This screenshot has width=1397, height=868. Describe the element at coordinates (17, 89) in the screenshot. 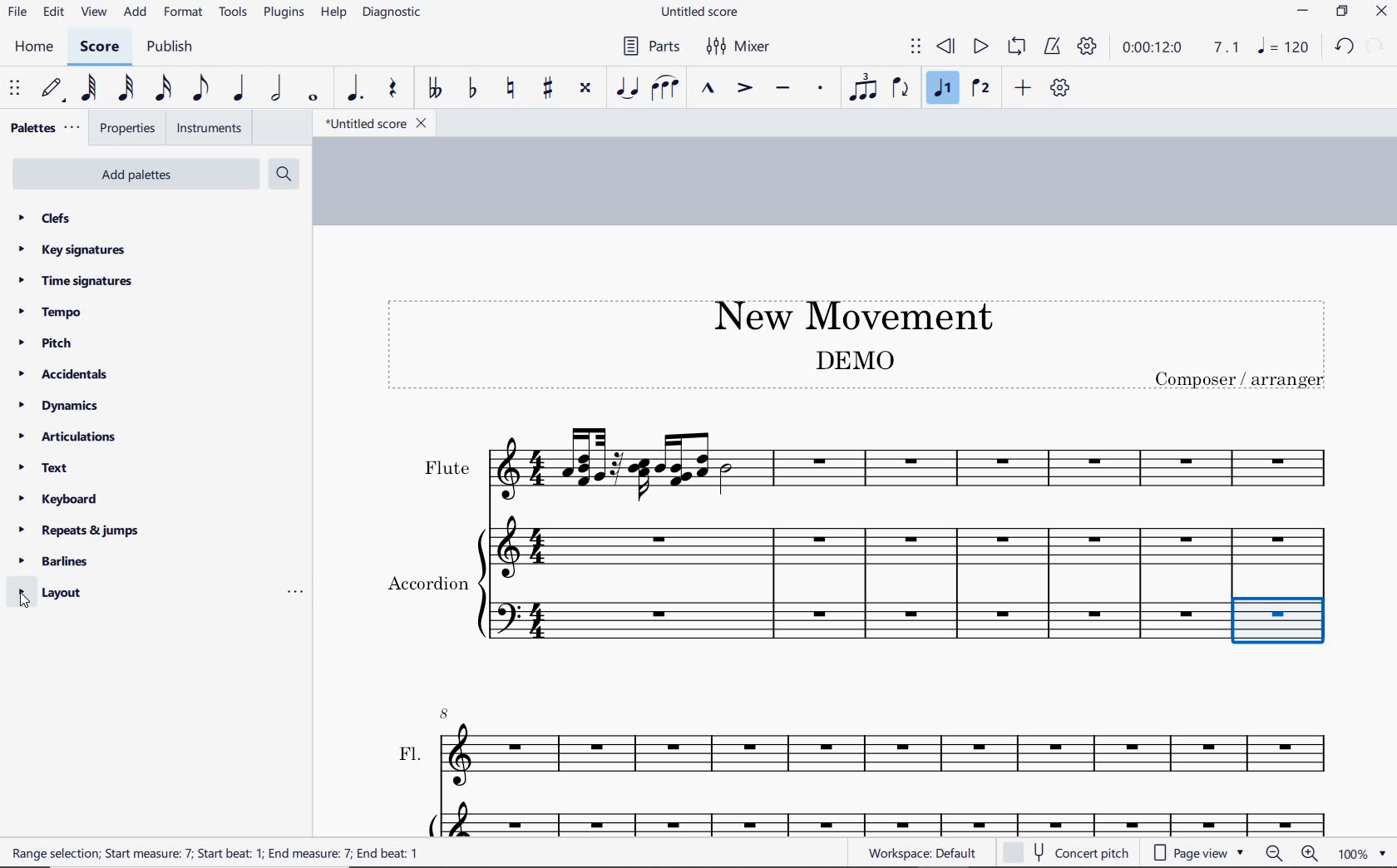

I see `select to move` at that location.